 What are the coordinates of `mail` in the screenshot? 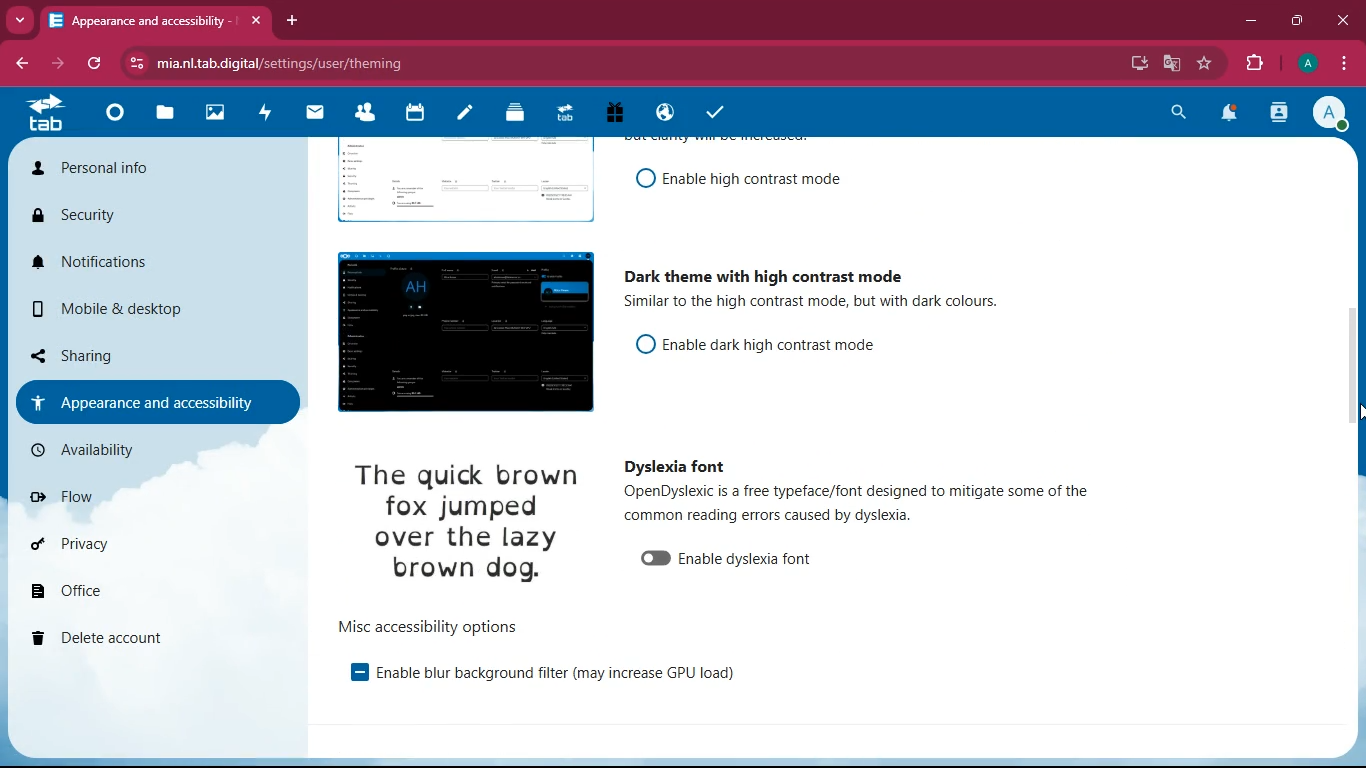 It's located at (320, 115).